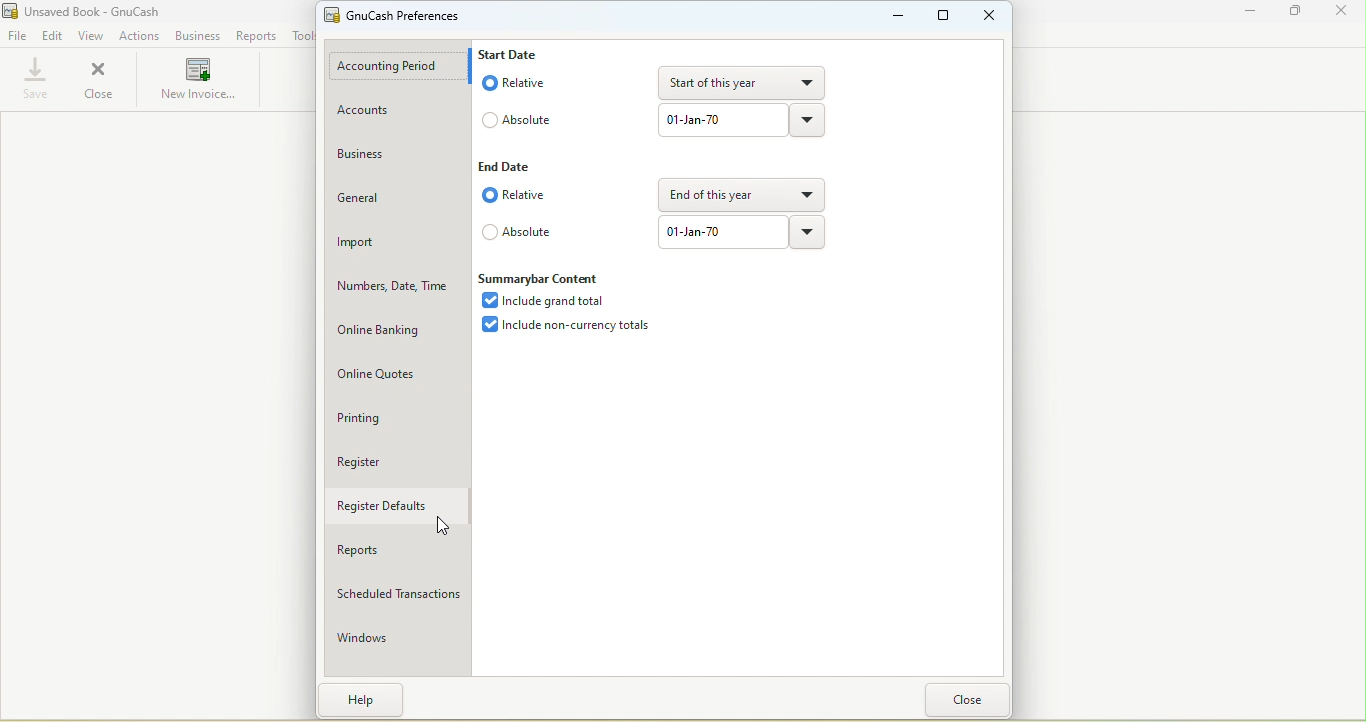 The height and width of the screenshot is (722, 1366). I want to click on Business, so click(200, 36).